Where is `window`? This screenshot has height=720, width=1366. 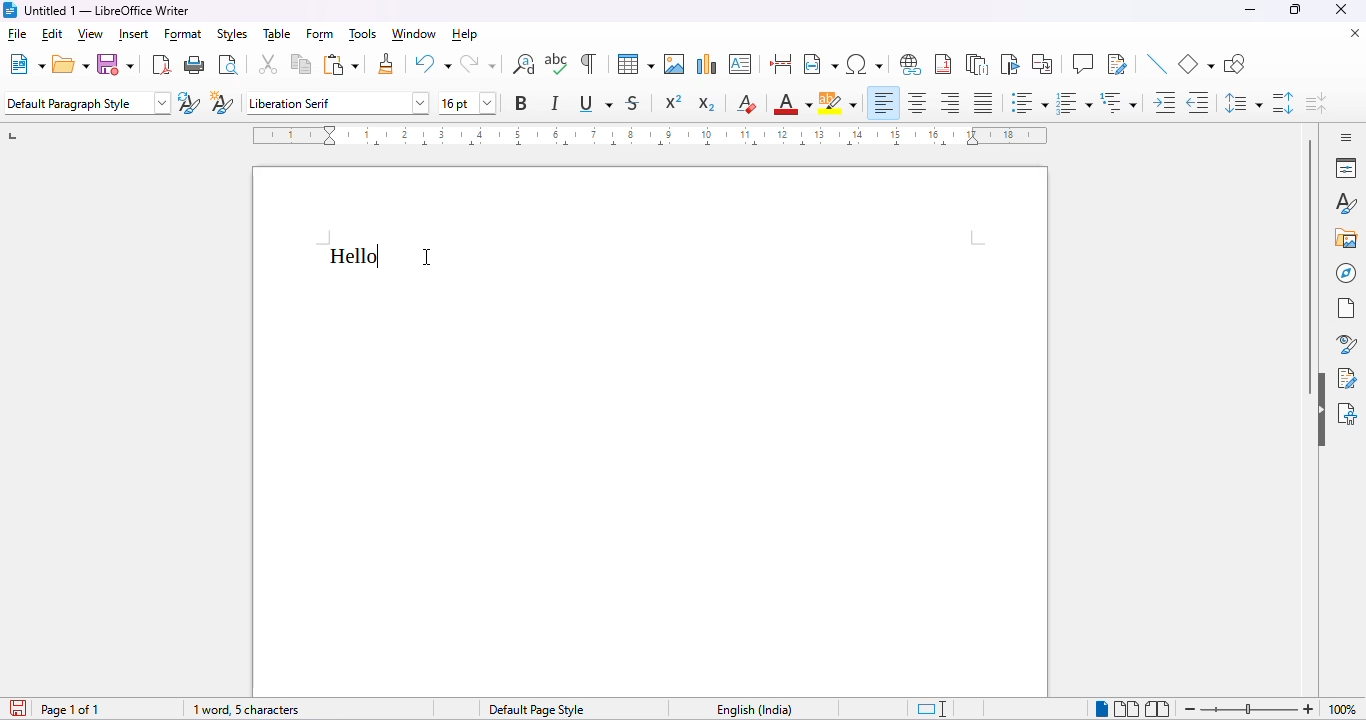 window is located at coordinates (415, 35).